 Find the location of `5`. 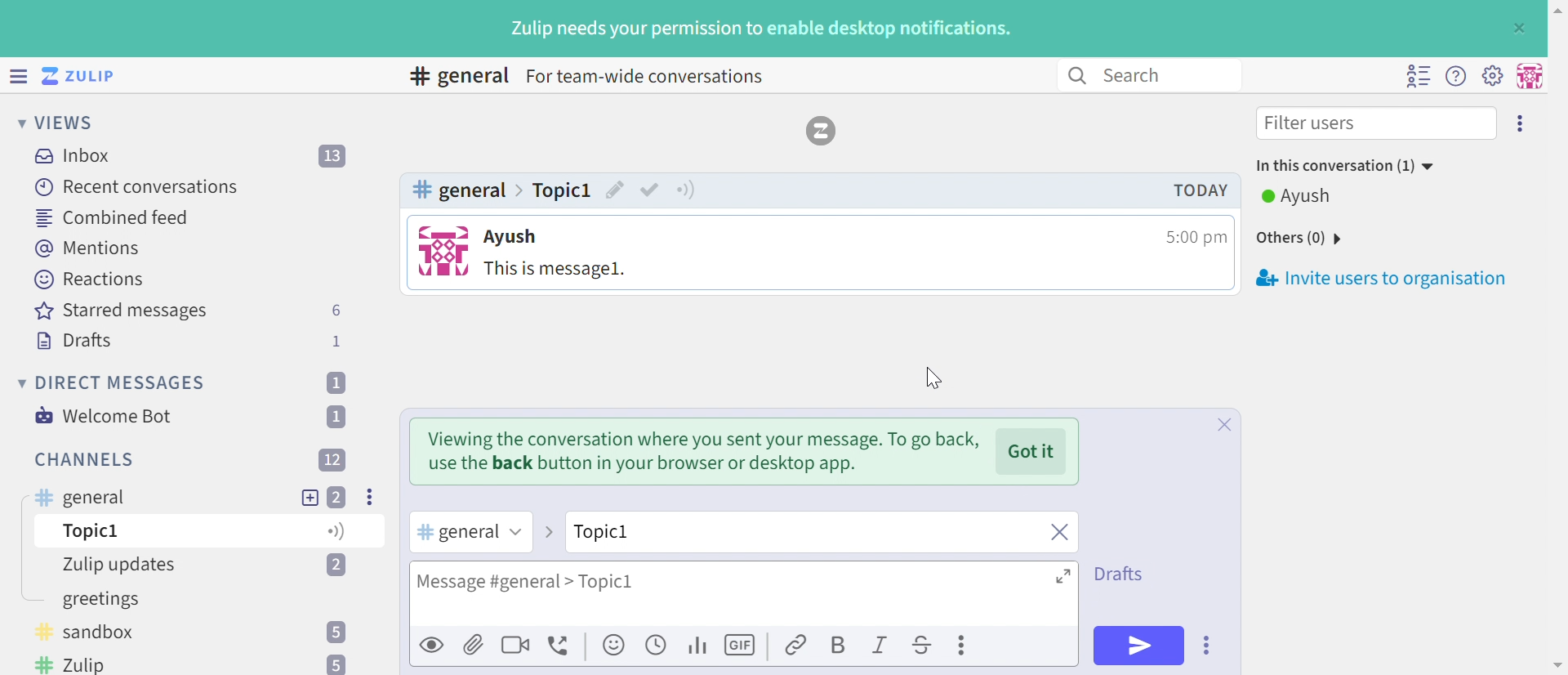

5 is located at coordinates (335, 533).